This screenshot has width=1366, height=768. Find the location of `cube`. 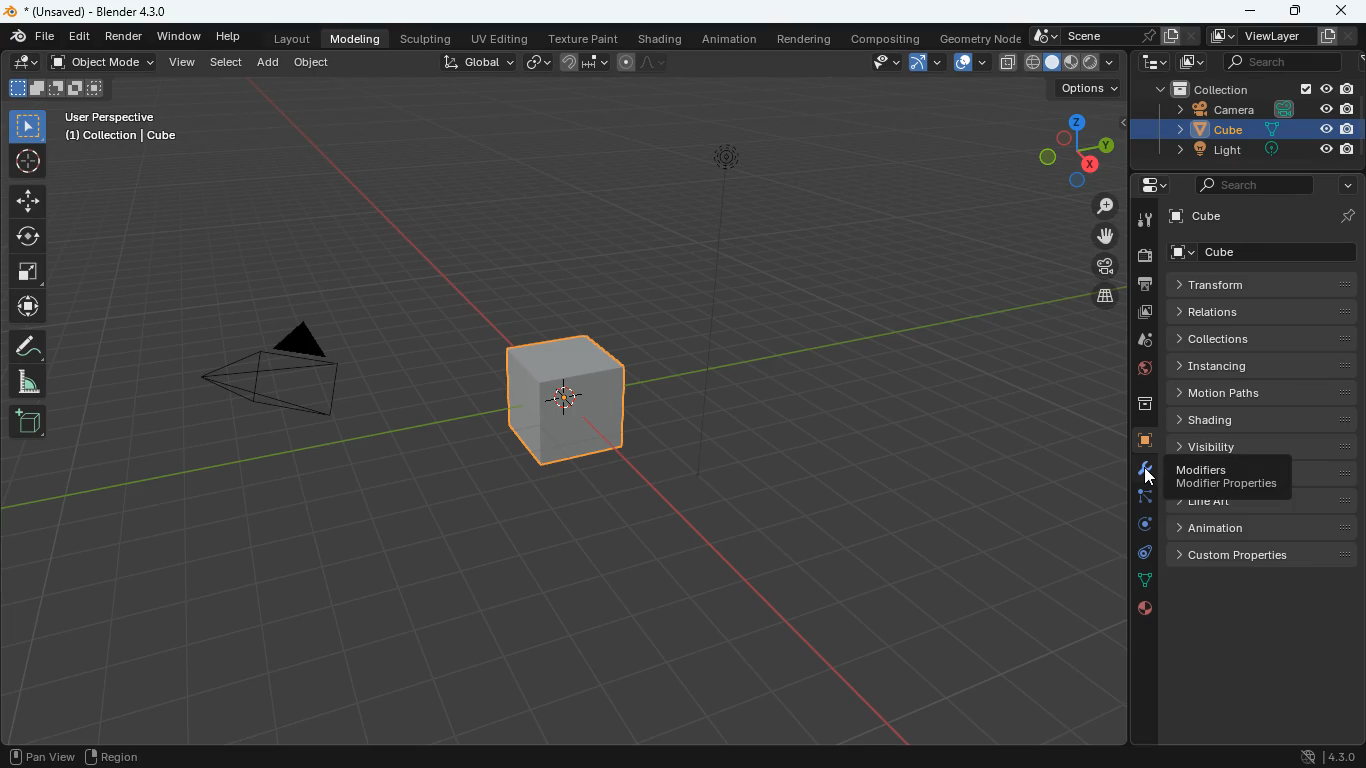

cube is located at coordinates (1135, 441).